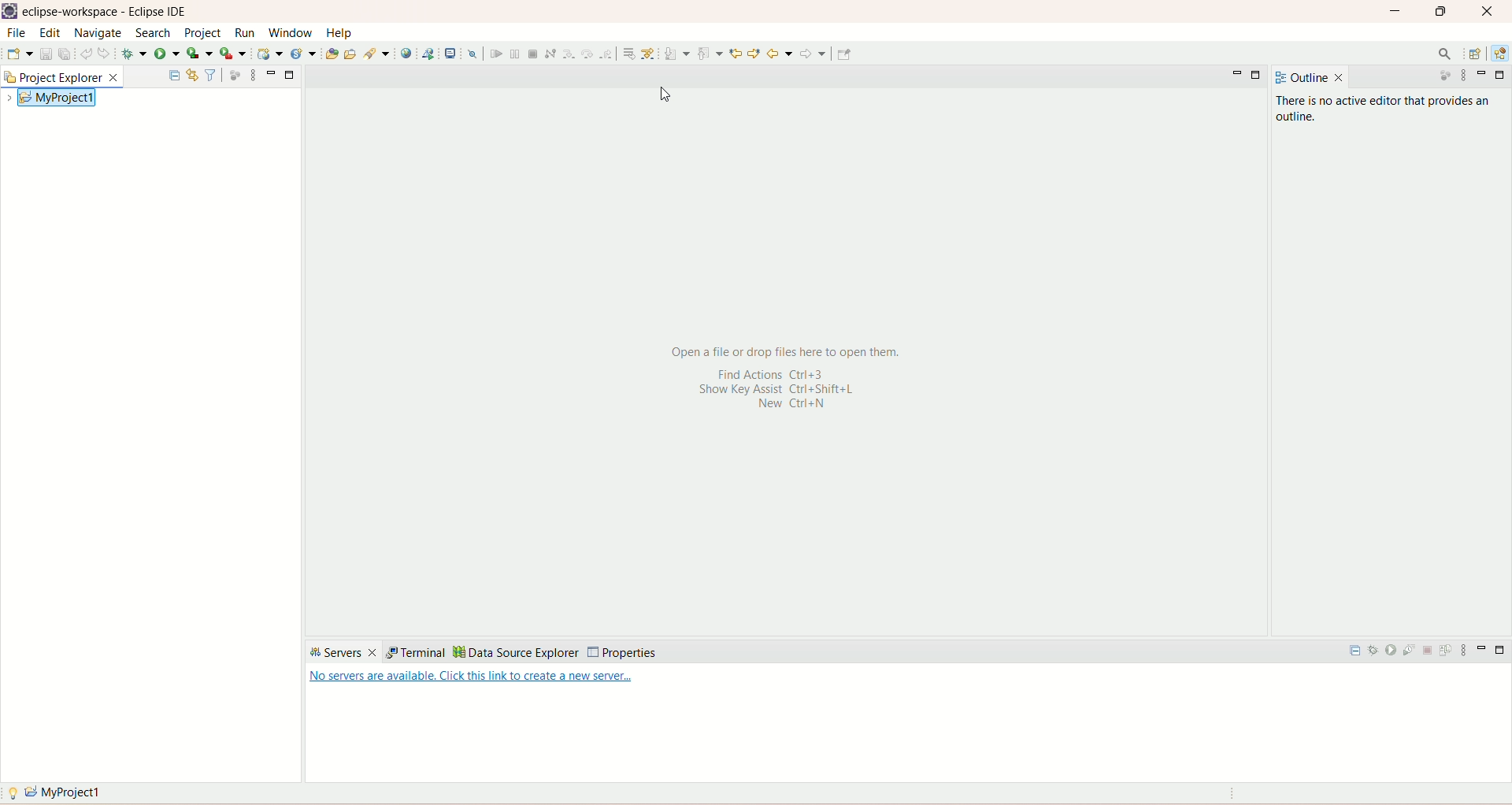 This screenshot has height=805, width=1512. Describe the element at coordinates (11, 11) in the screenshot. I see `logo` at that location.